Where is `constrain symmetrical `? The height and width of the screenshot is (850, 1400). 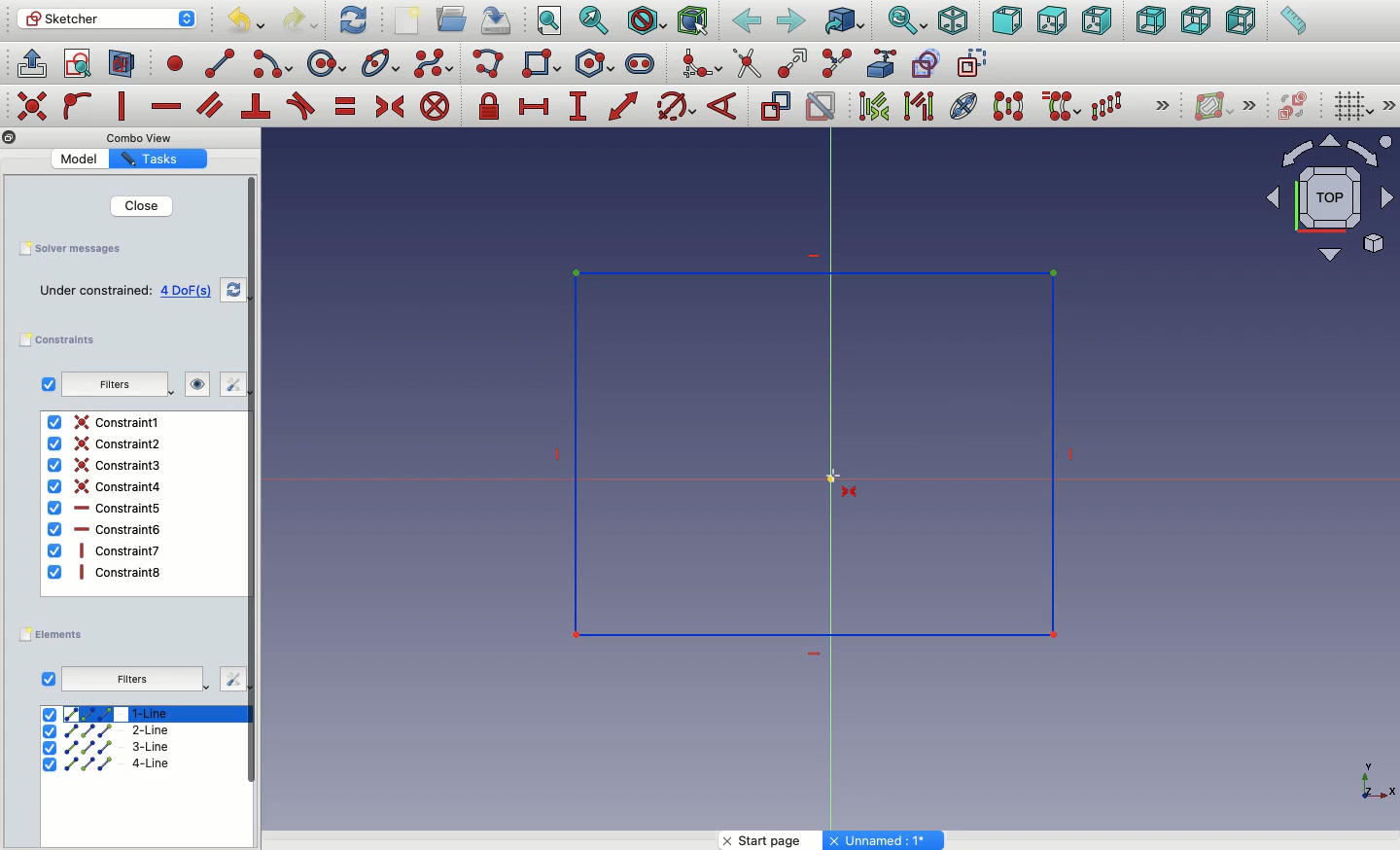
constrain symmetrical  is located at coordinates (389, 110).